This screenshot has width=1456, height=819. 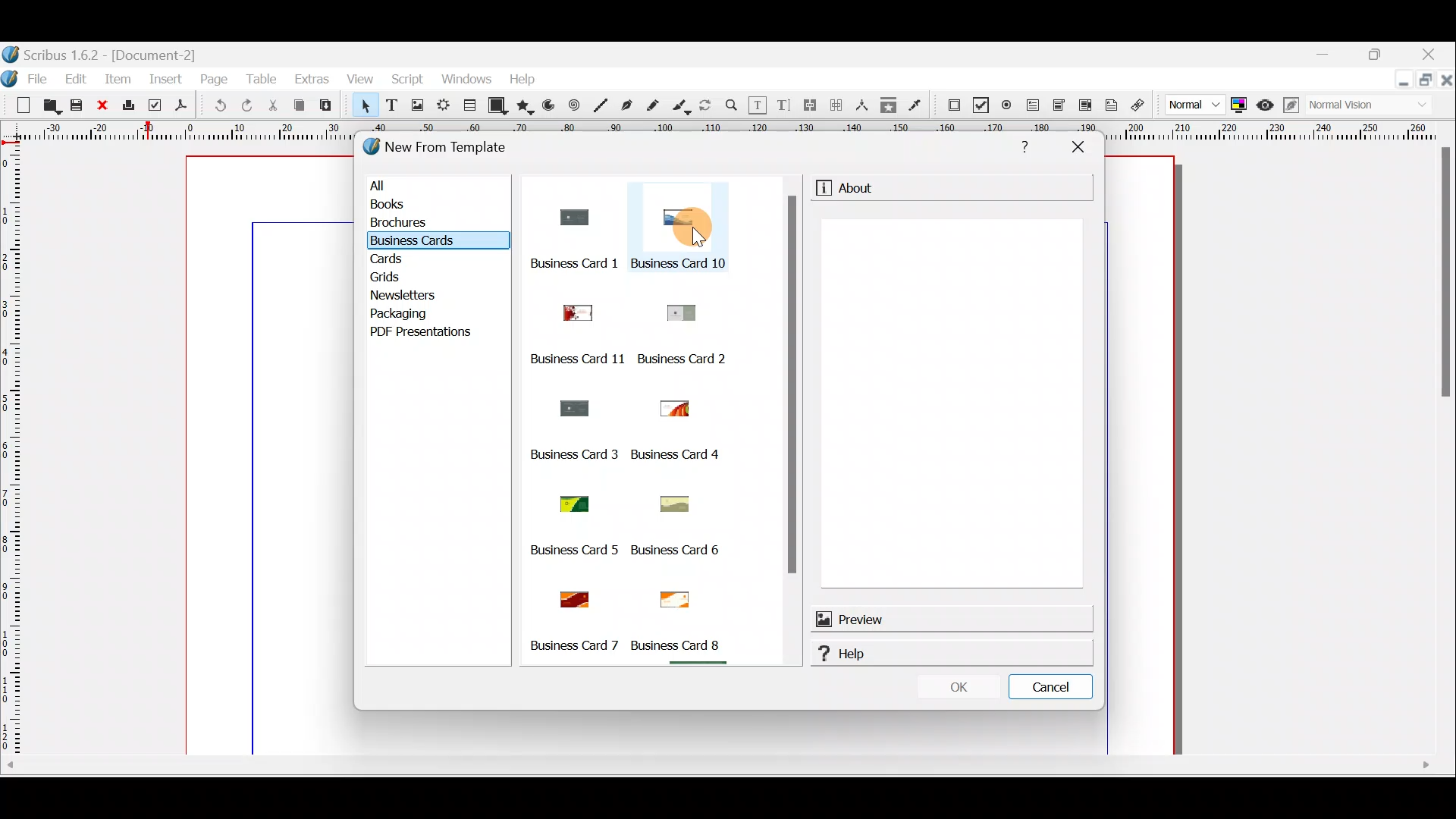 I want to click on Edit in preview mode, so click(x=1289, y=107).